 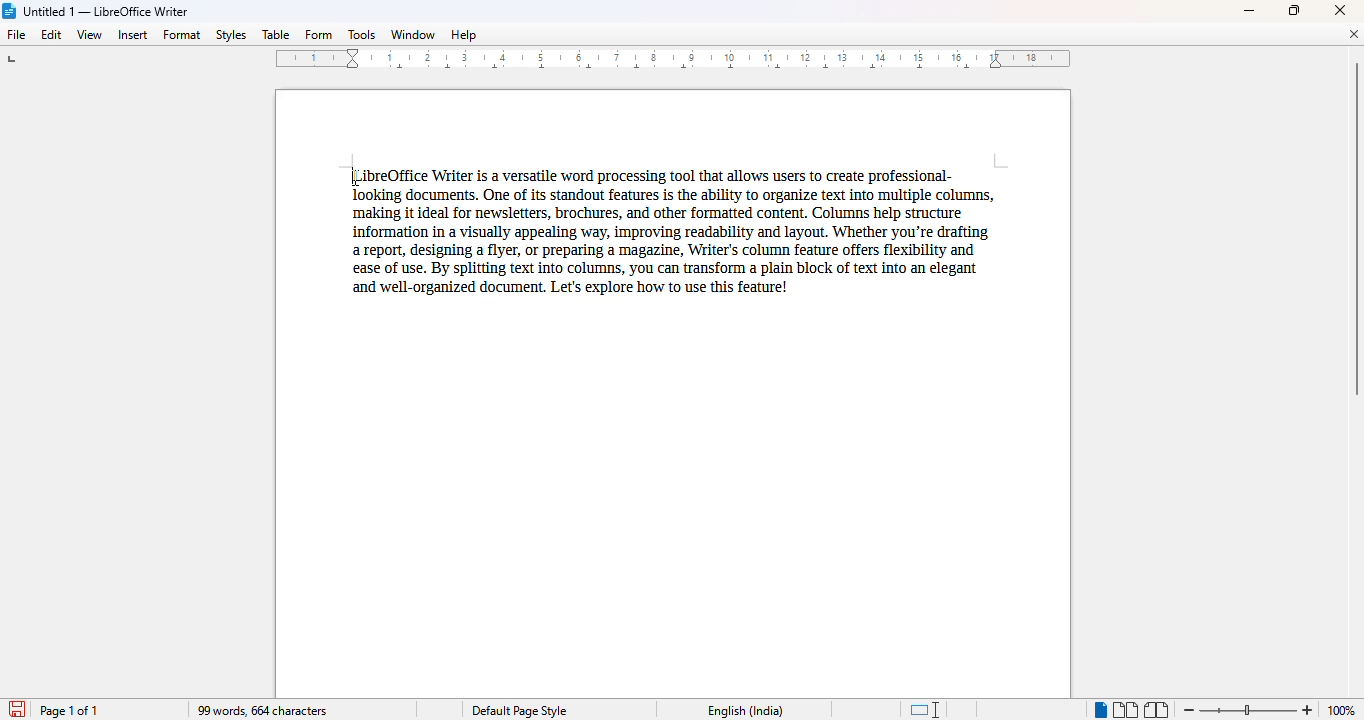 I want to click on vertical scroll bar, so click(x=1355, y=229).